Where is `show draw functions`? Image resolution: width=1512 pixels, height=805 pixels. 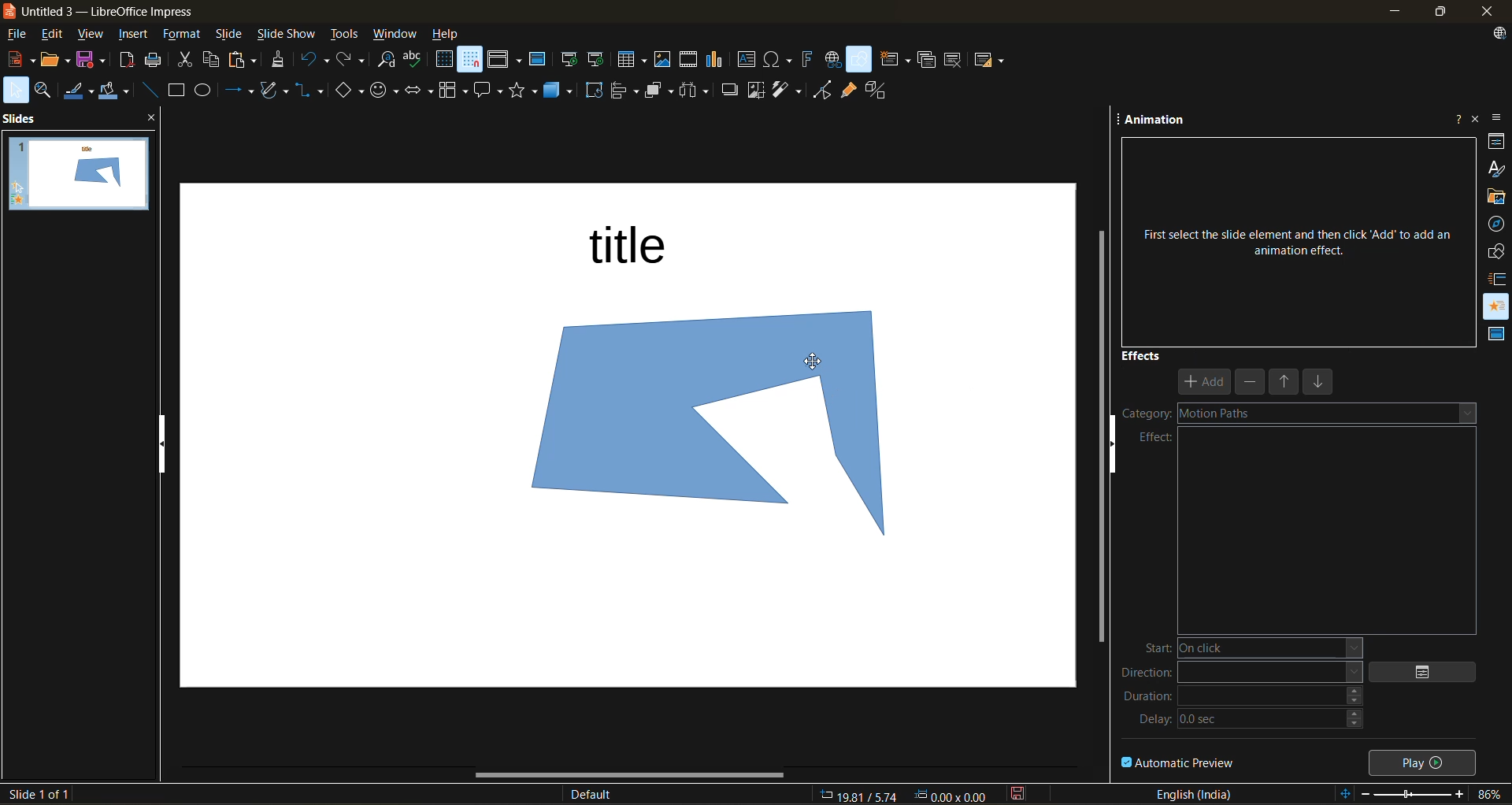 show draw functions is located at coordinates (860, 60).